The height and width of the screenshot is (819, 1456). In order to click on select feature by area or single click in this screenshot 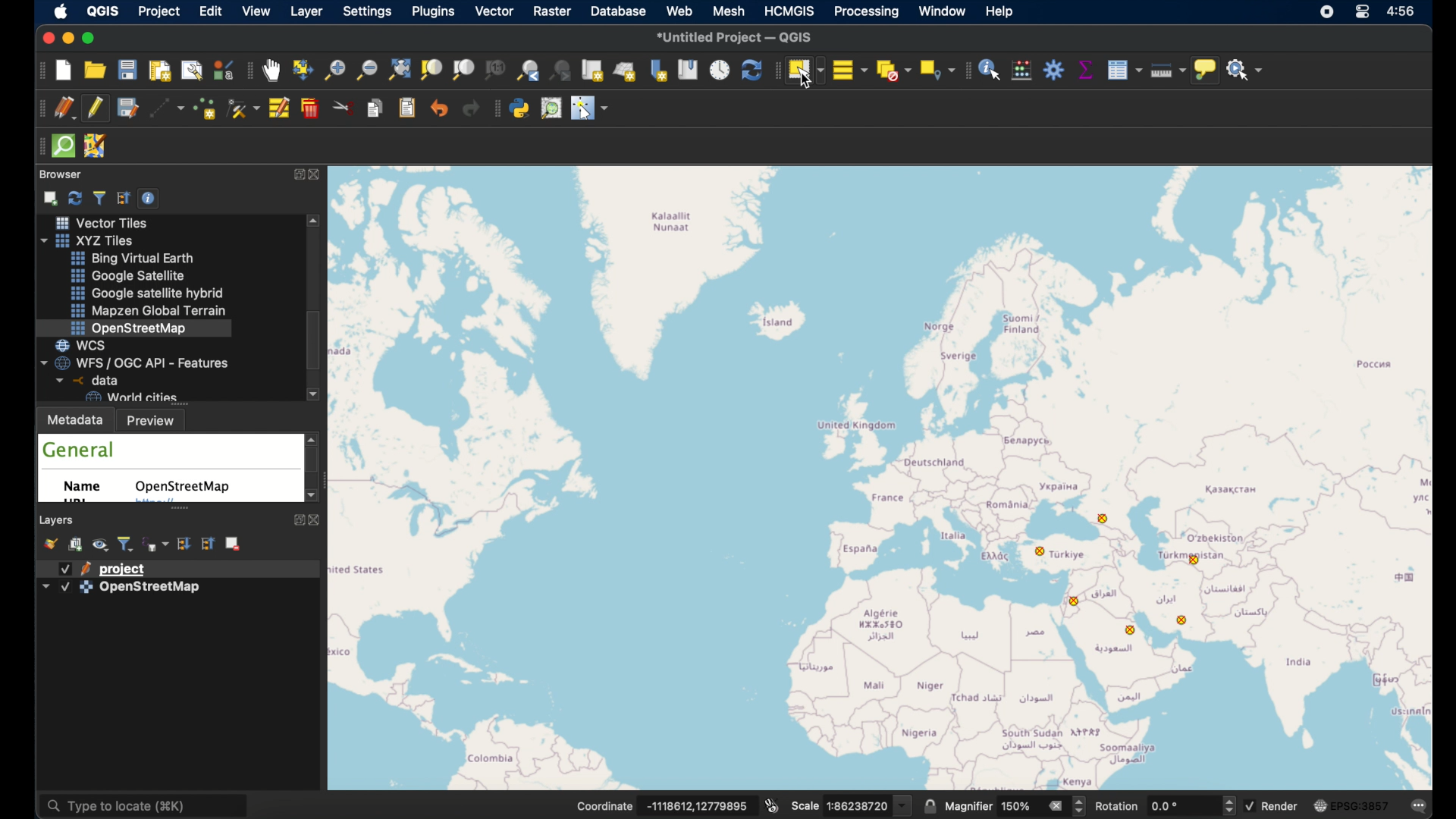, I will do `click(805, 69)`.